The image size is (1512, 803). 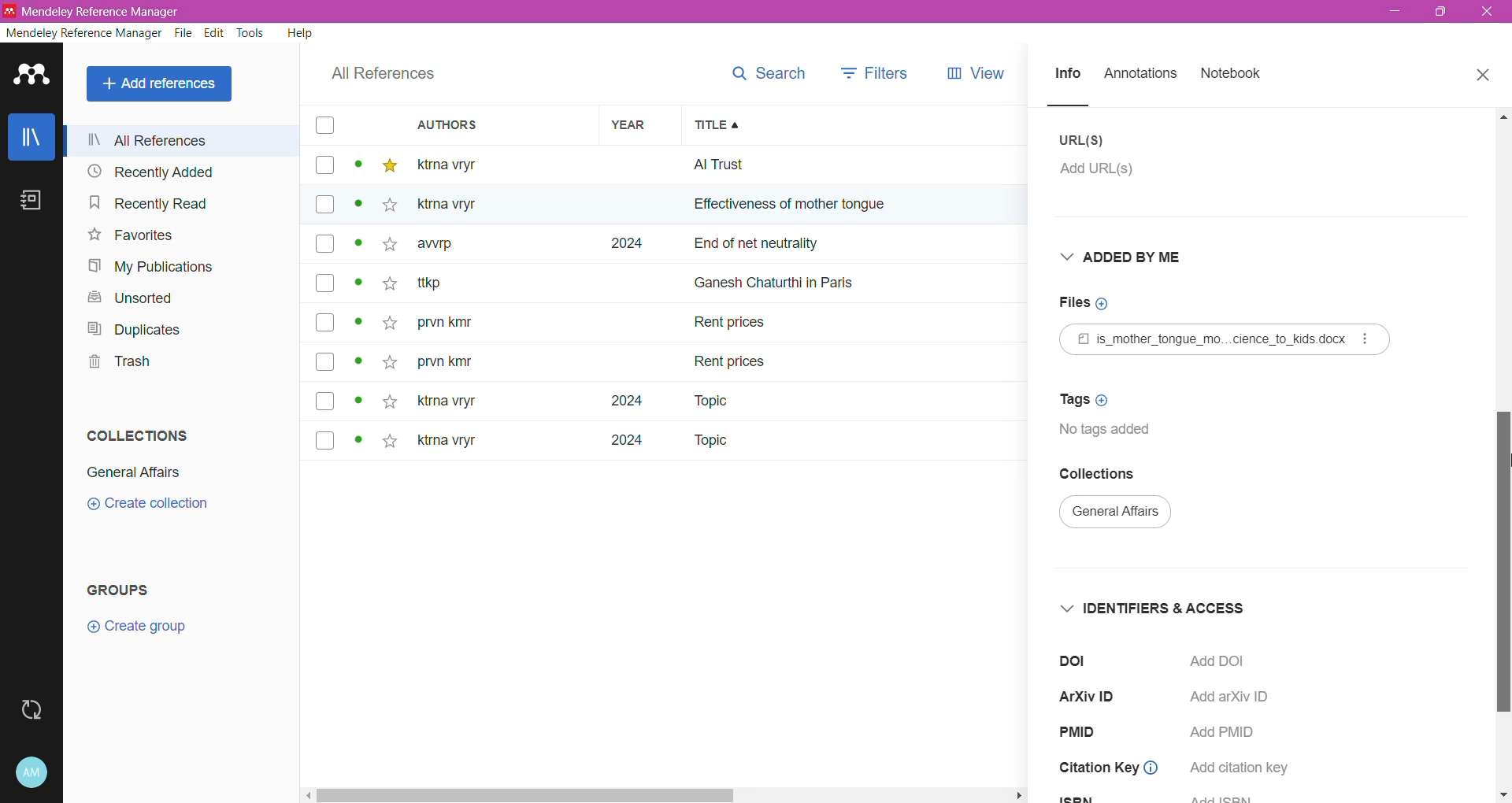 What do you see at coordinates (139, 435) in the screenshot?
I see `Collections` at bounding box center [139, 435].